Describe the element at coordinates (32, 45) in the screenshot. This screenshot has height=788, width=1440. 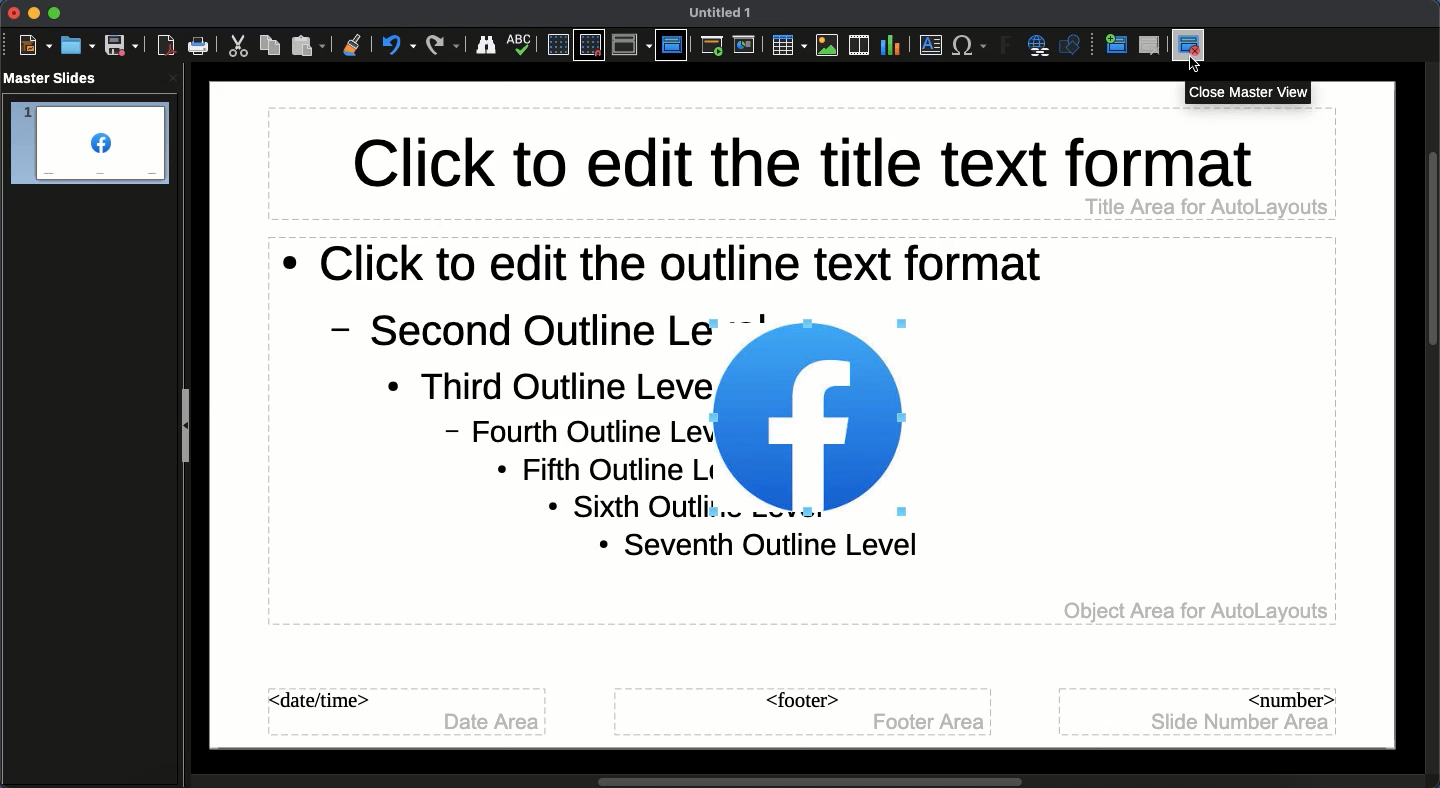
I see `New` at that location.